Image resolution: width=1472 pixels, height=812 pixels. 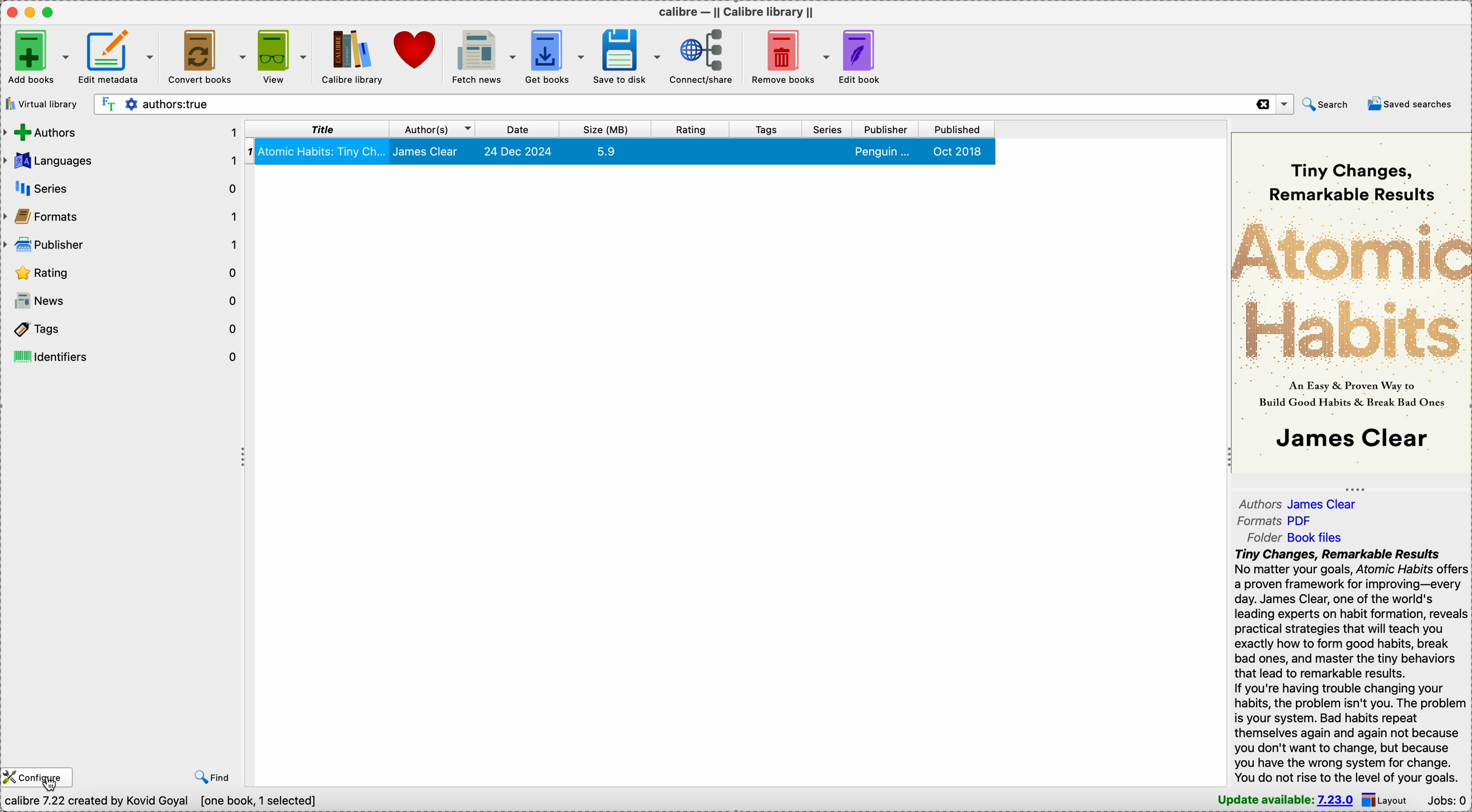 What do you see at coordinates (625, 58) in the screenshot?
I see `save to disk` at bounding box center [625, 58].